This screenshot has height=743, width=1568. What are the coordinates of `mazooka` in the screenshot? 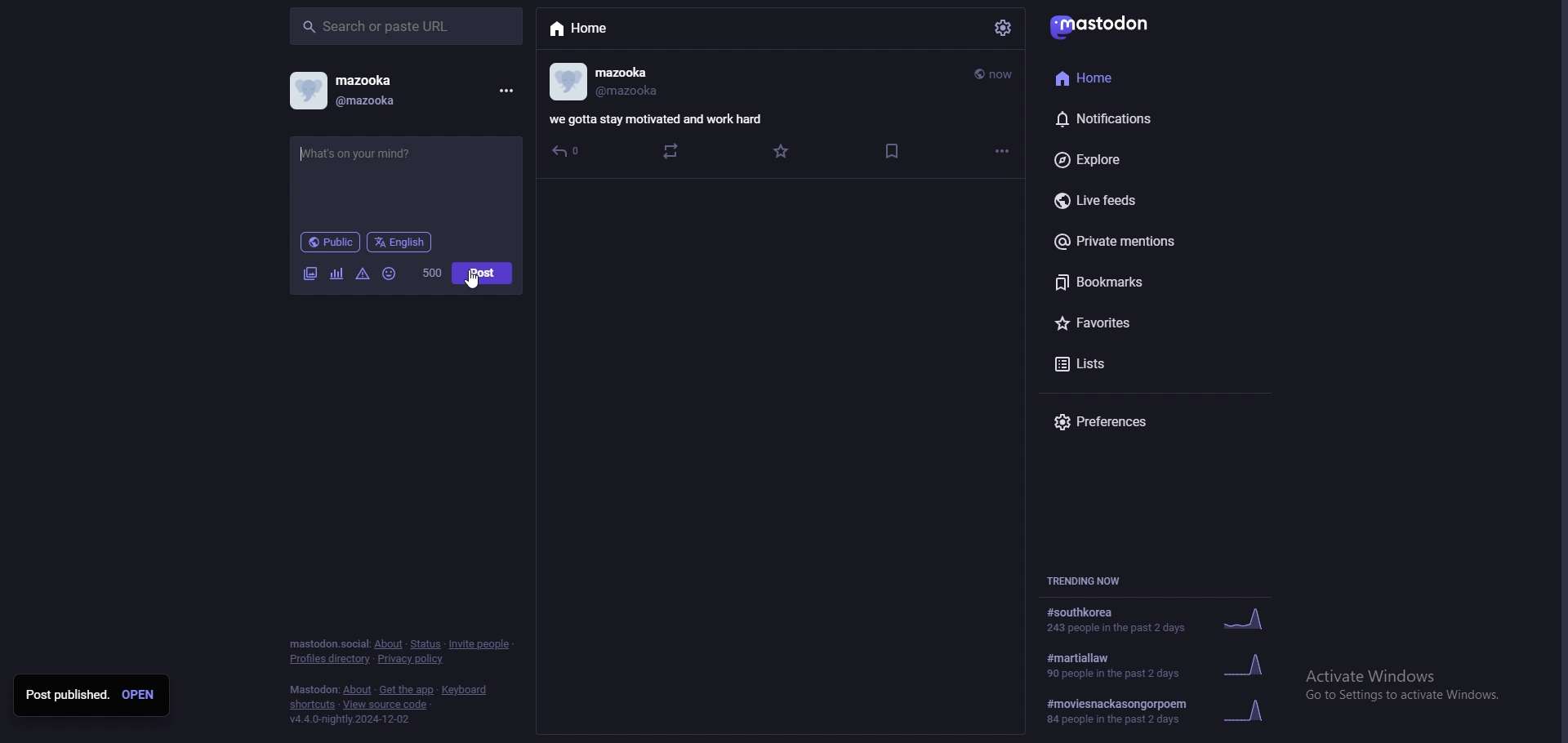 It's located at (387, 79).